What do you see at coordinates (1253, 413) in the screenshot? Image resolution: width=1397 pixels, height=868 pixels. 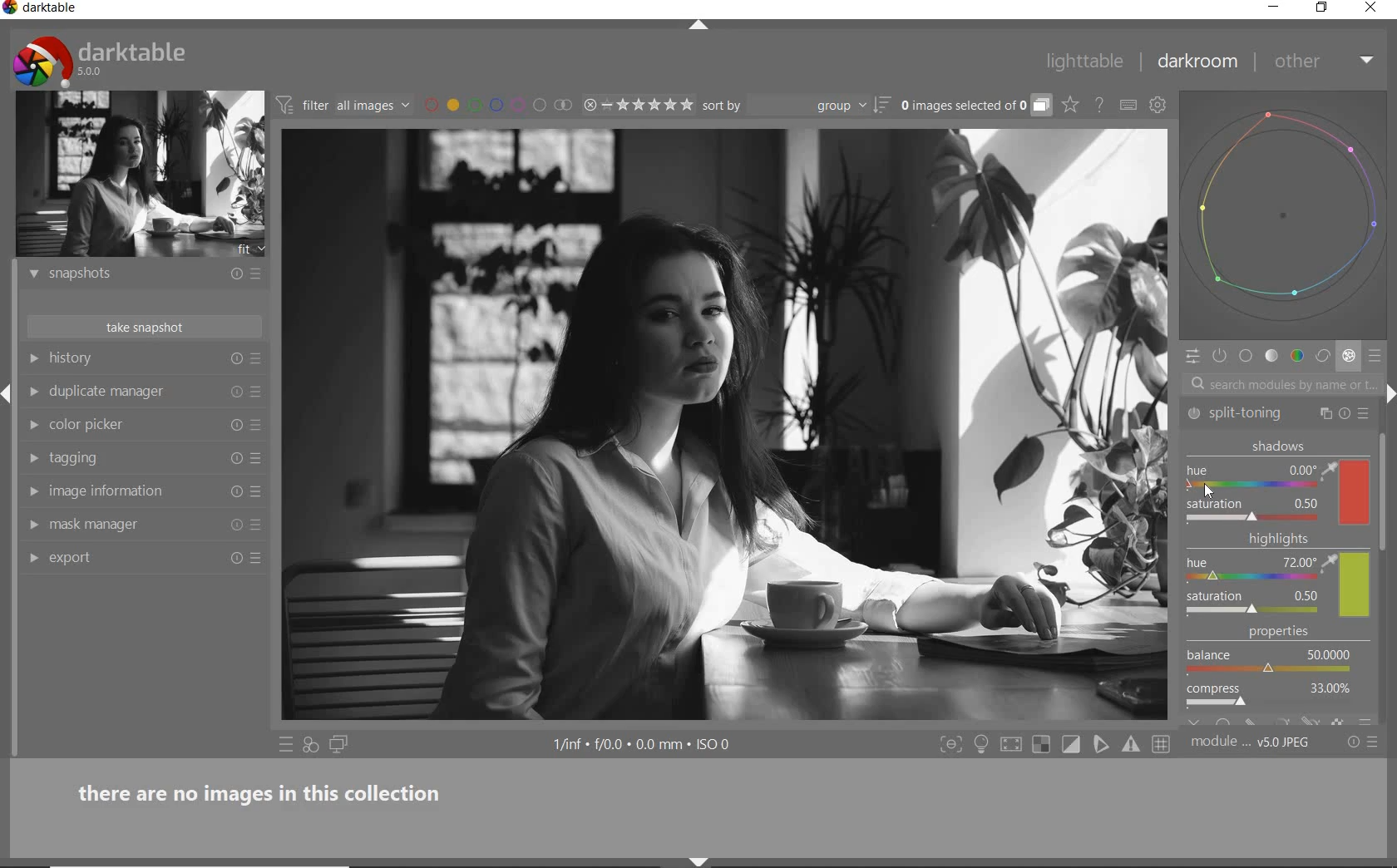 I see `split-toning` at bounding box center [1253, 413].